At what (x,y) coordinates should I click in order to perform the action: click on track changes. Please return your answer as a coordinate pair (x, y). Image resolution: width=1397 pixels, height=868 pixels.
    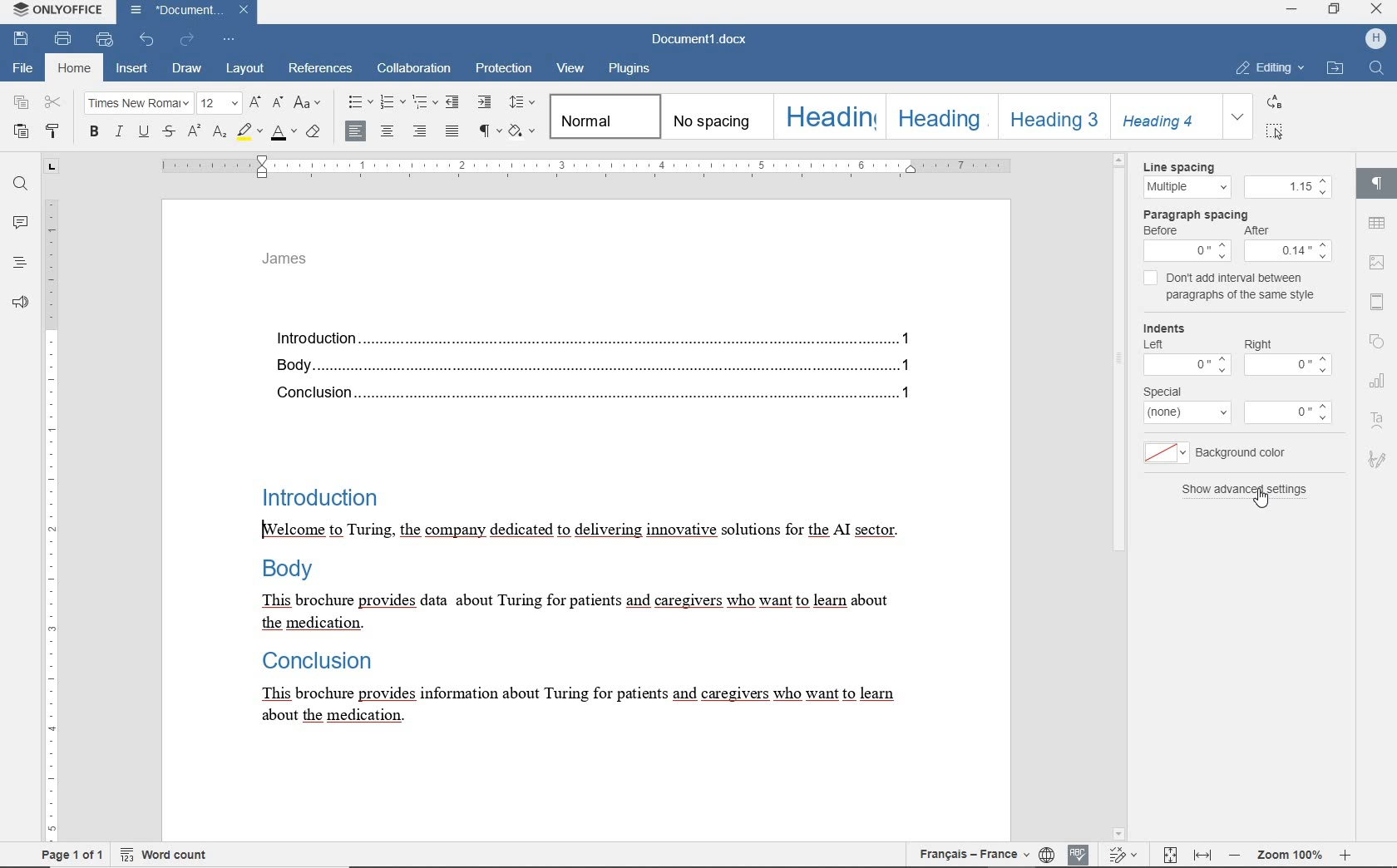
    Looking at the image, I should click on (1119, 856).